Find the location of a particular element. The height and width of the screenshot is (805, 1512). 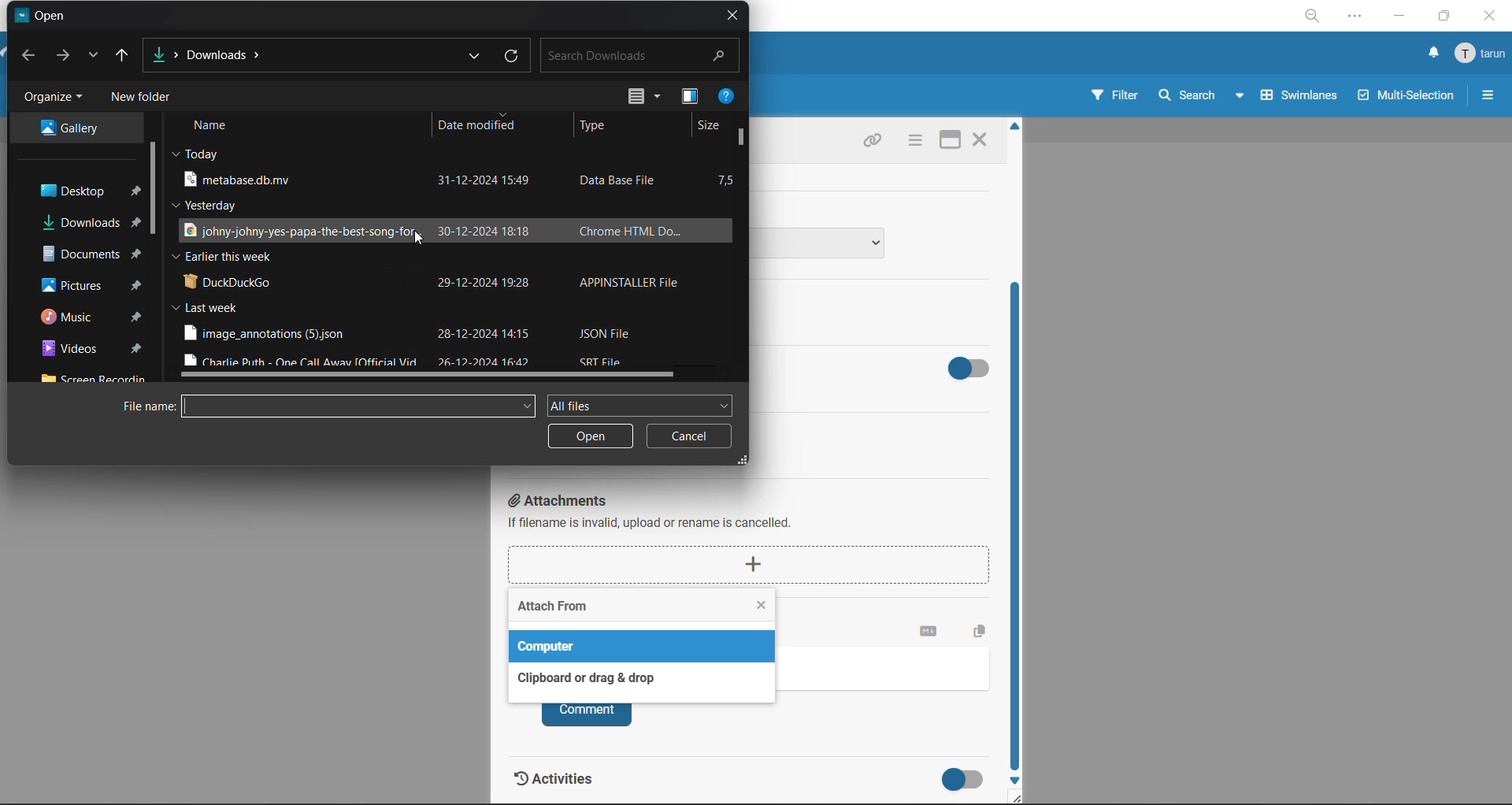

downloads is located at coordinates (78, 223).